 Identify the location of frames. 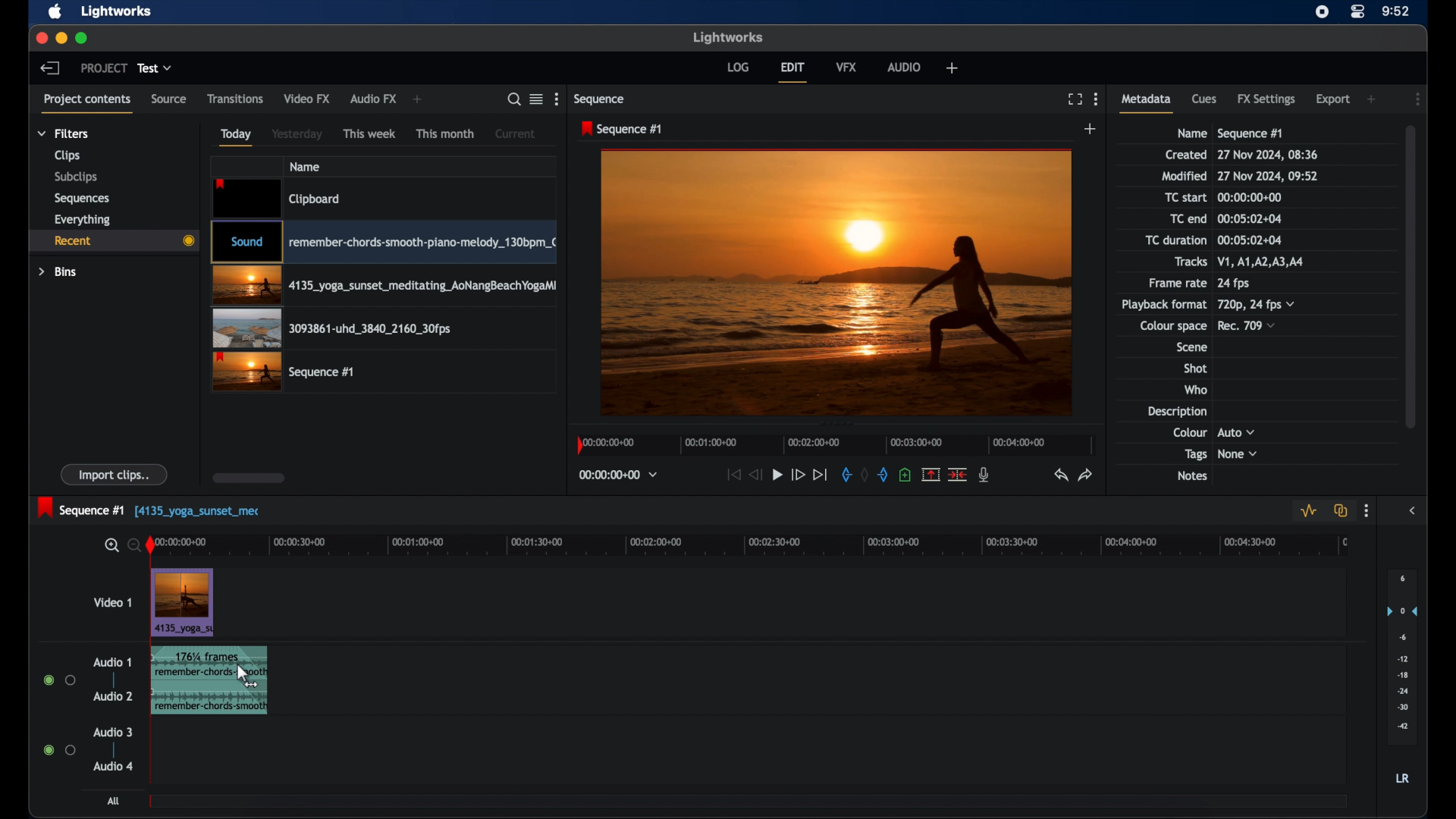
(206, 654).